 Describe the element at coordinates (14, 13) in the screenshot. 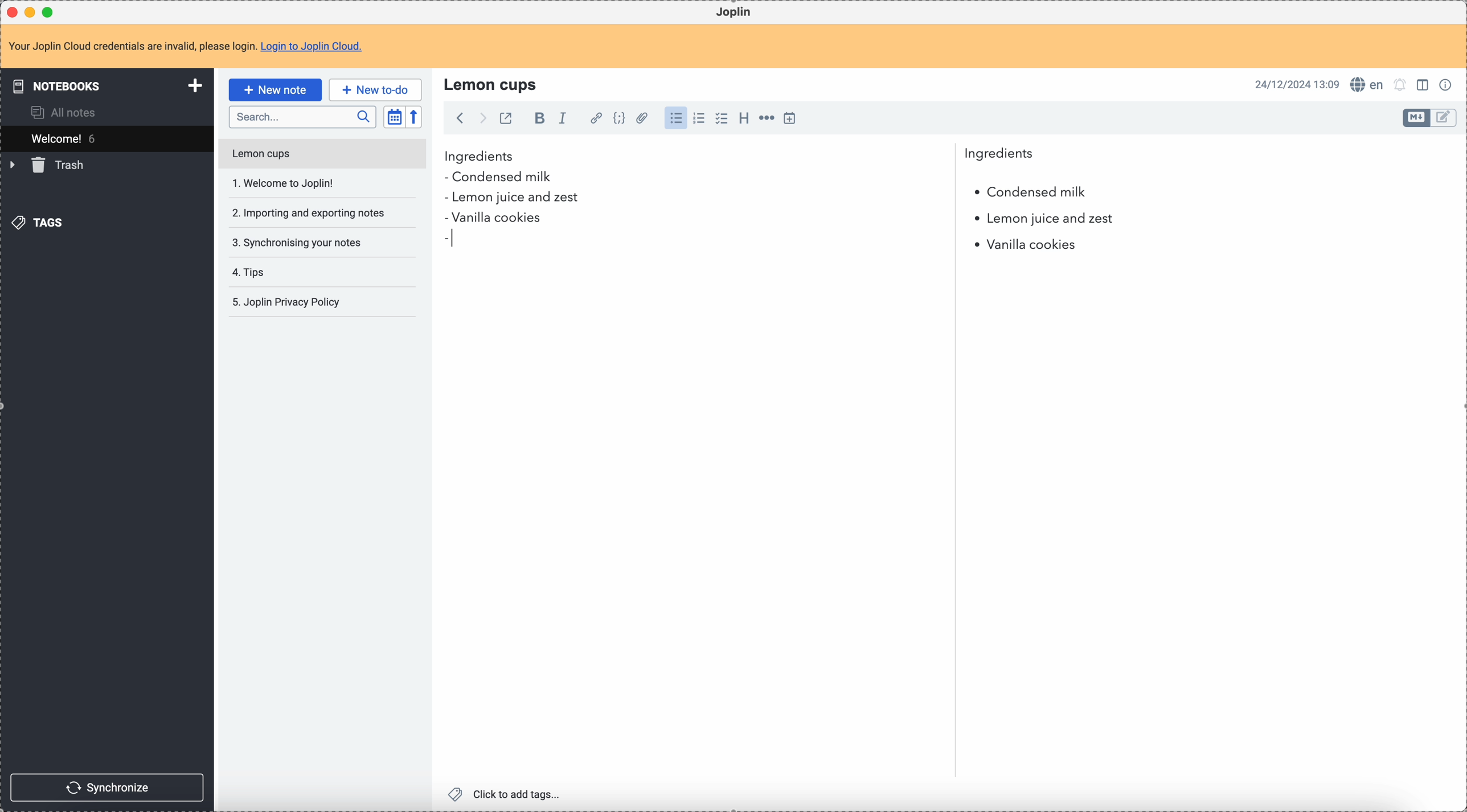

I see `close` at that location.